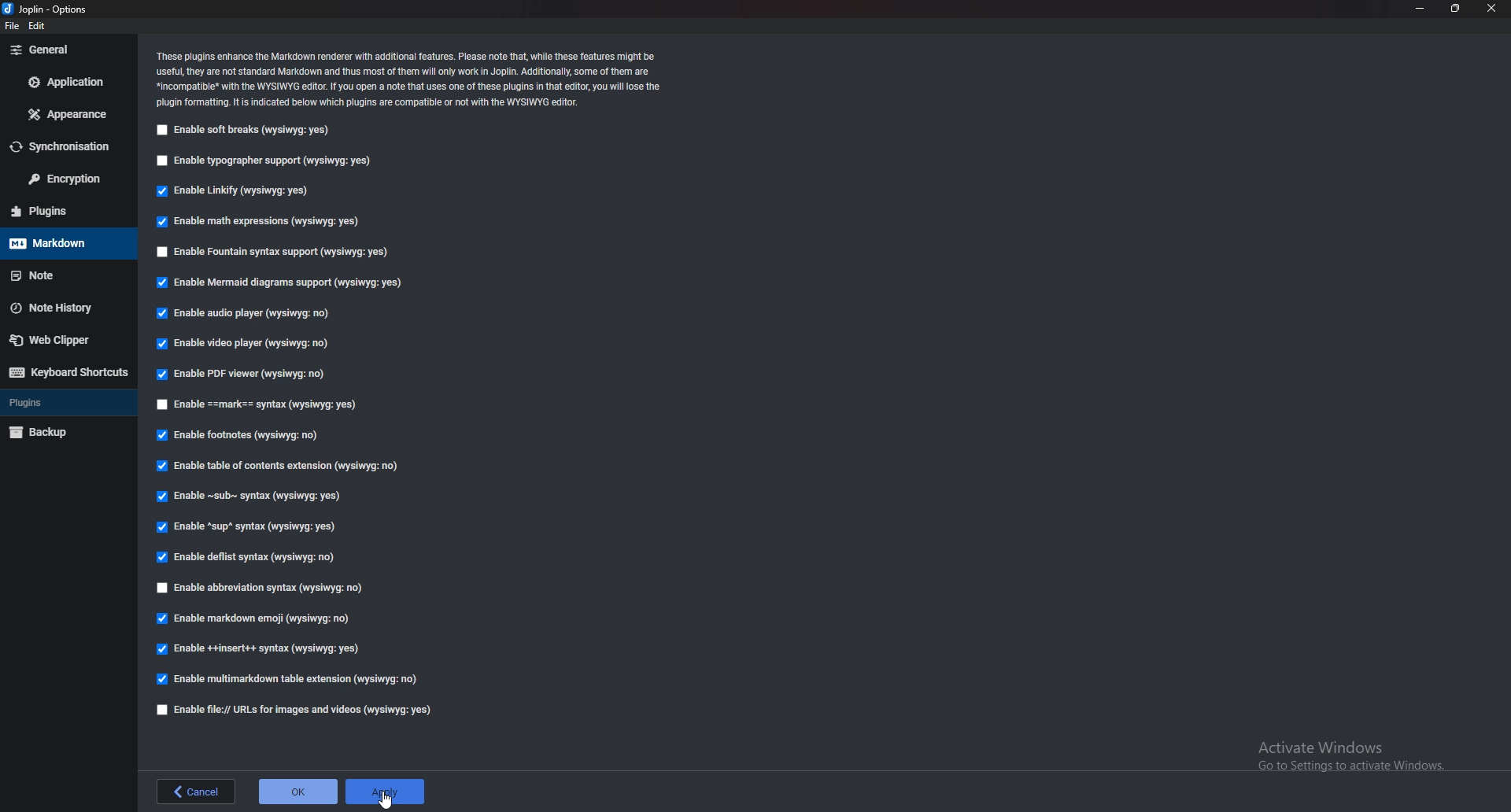 The width and height of the screenshot is (1511, 812). What do you see at coordinates (280, 285) in the screenshot?
I see `enable mermaid diagram support` at bounding box center [280, 285].